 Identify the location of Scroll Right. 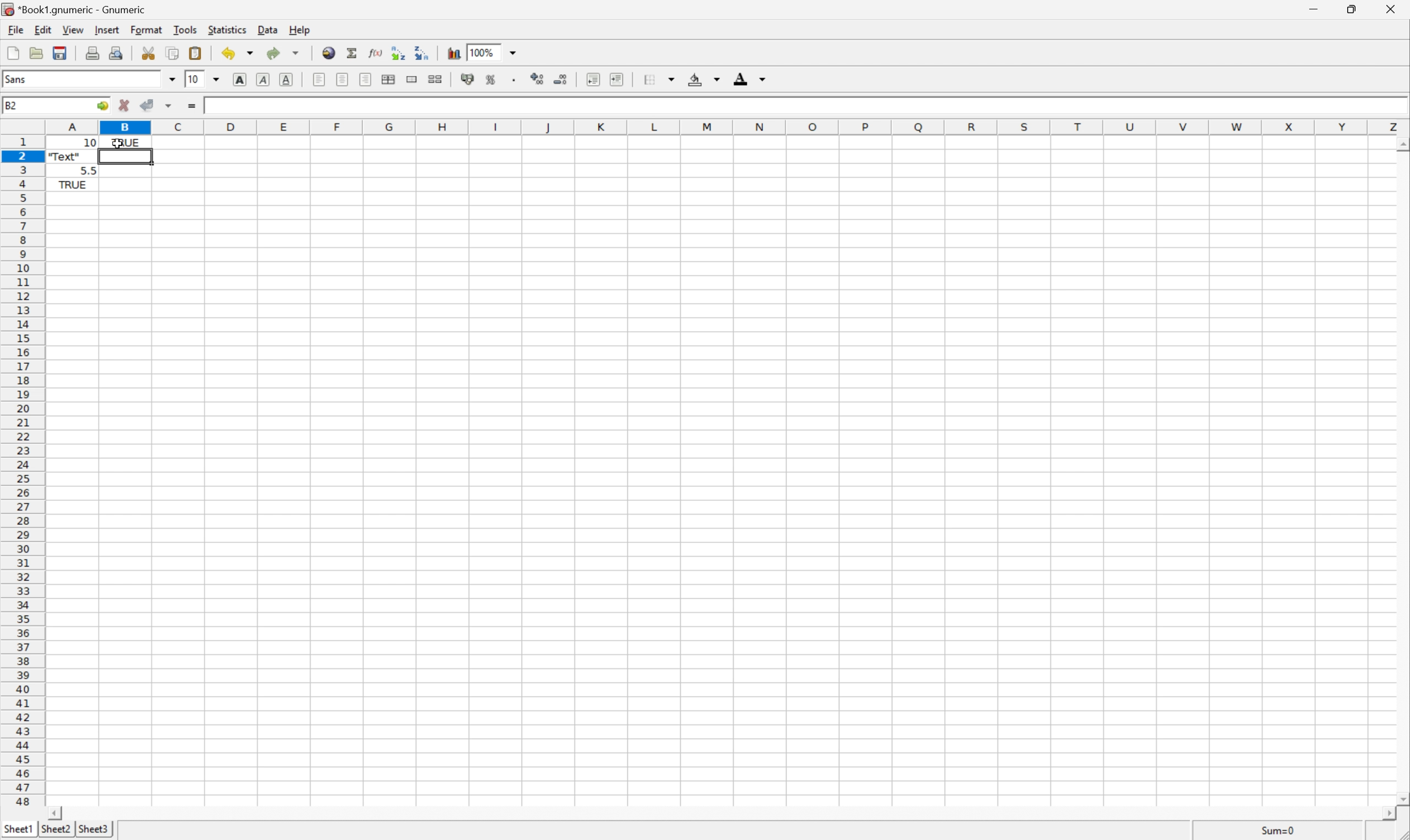
(1386, 812).